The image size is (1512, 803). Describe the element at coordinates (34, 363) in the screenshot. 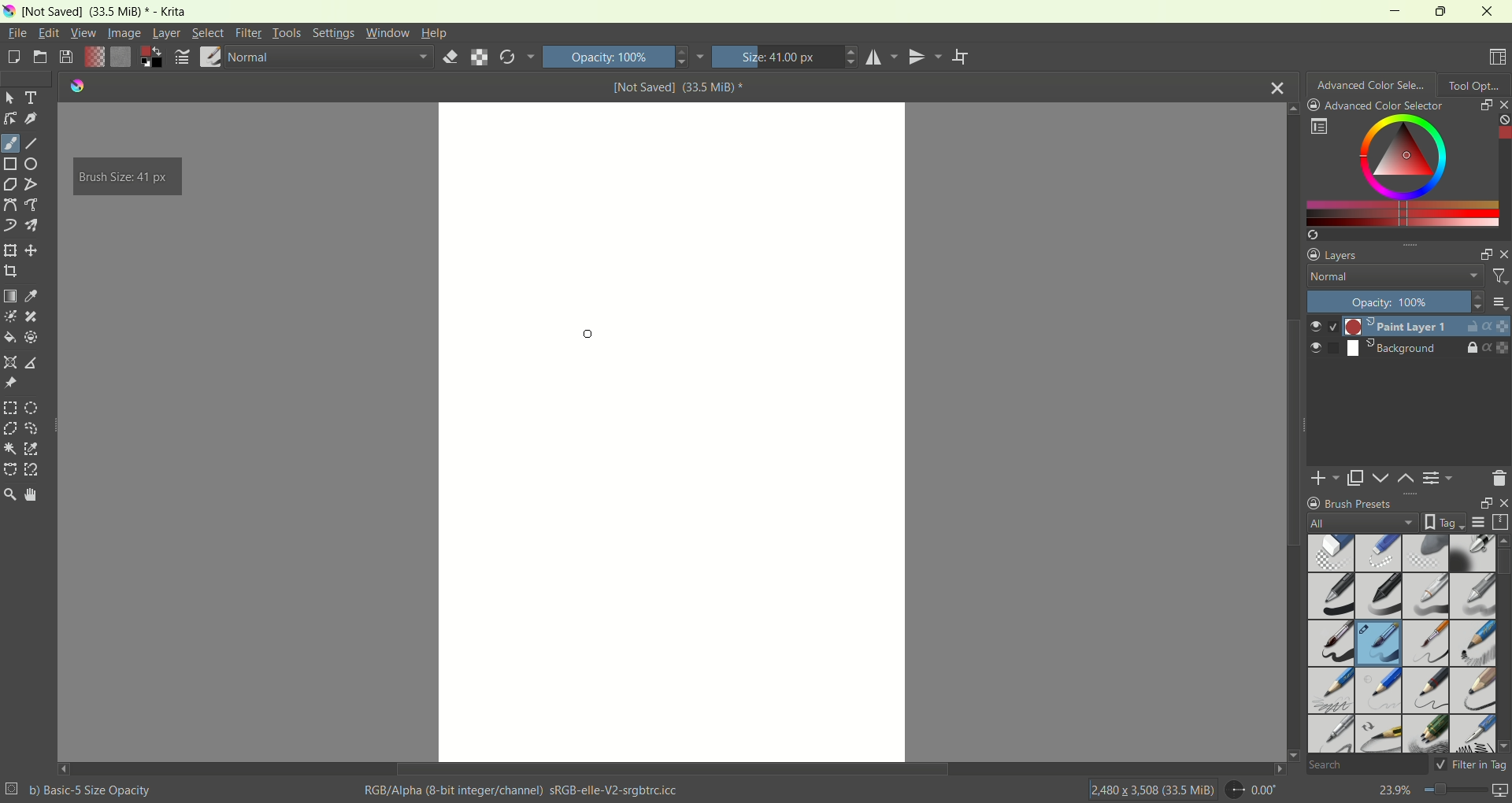

I see `measure distance between two points` at that location.